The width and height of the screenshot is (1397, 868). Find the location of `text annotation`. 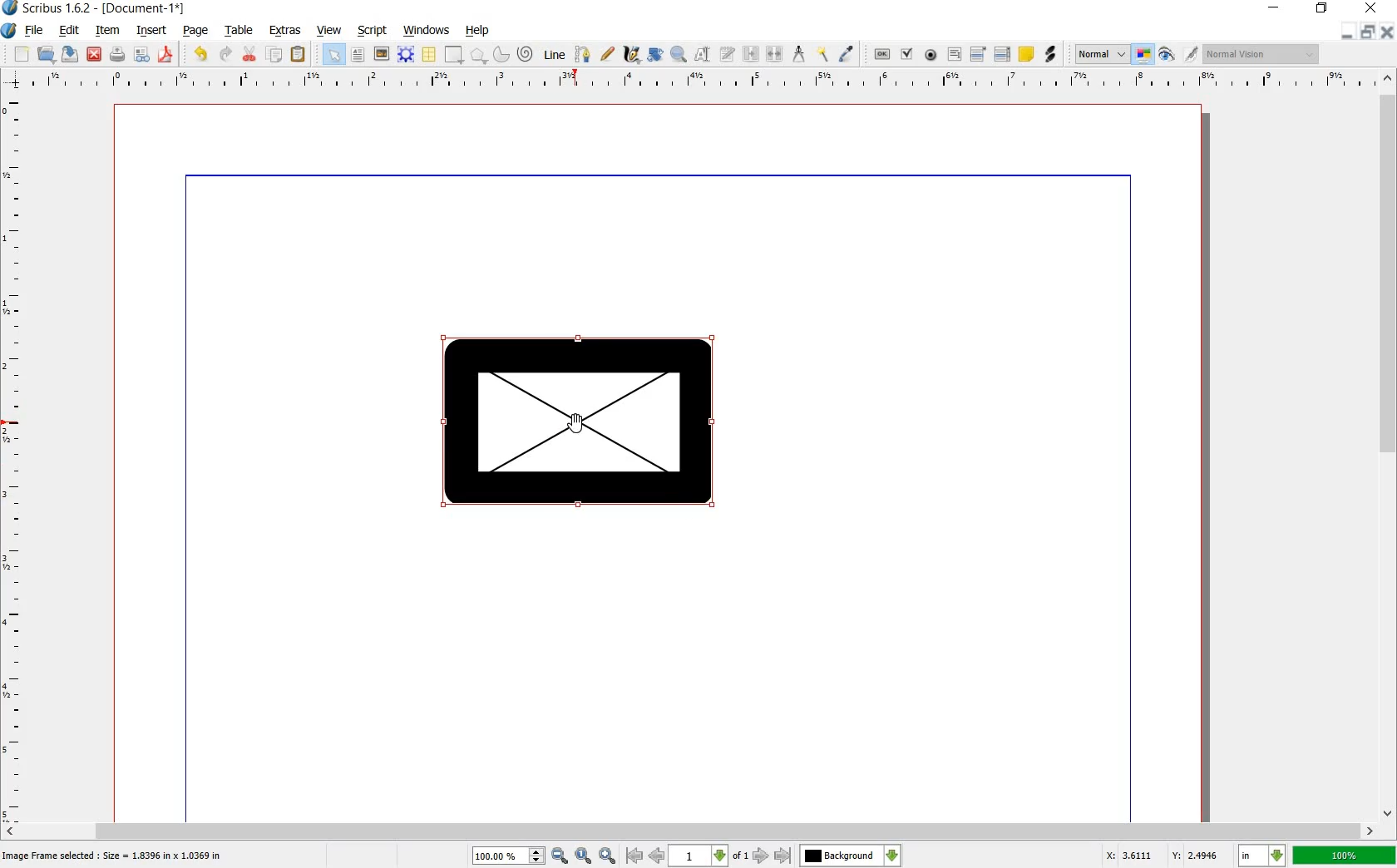

text annotation is located at coordinates (1027, 55).